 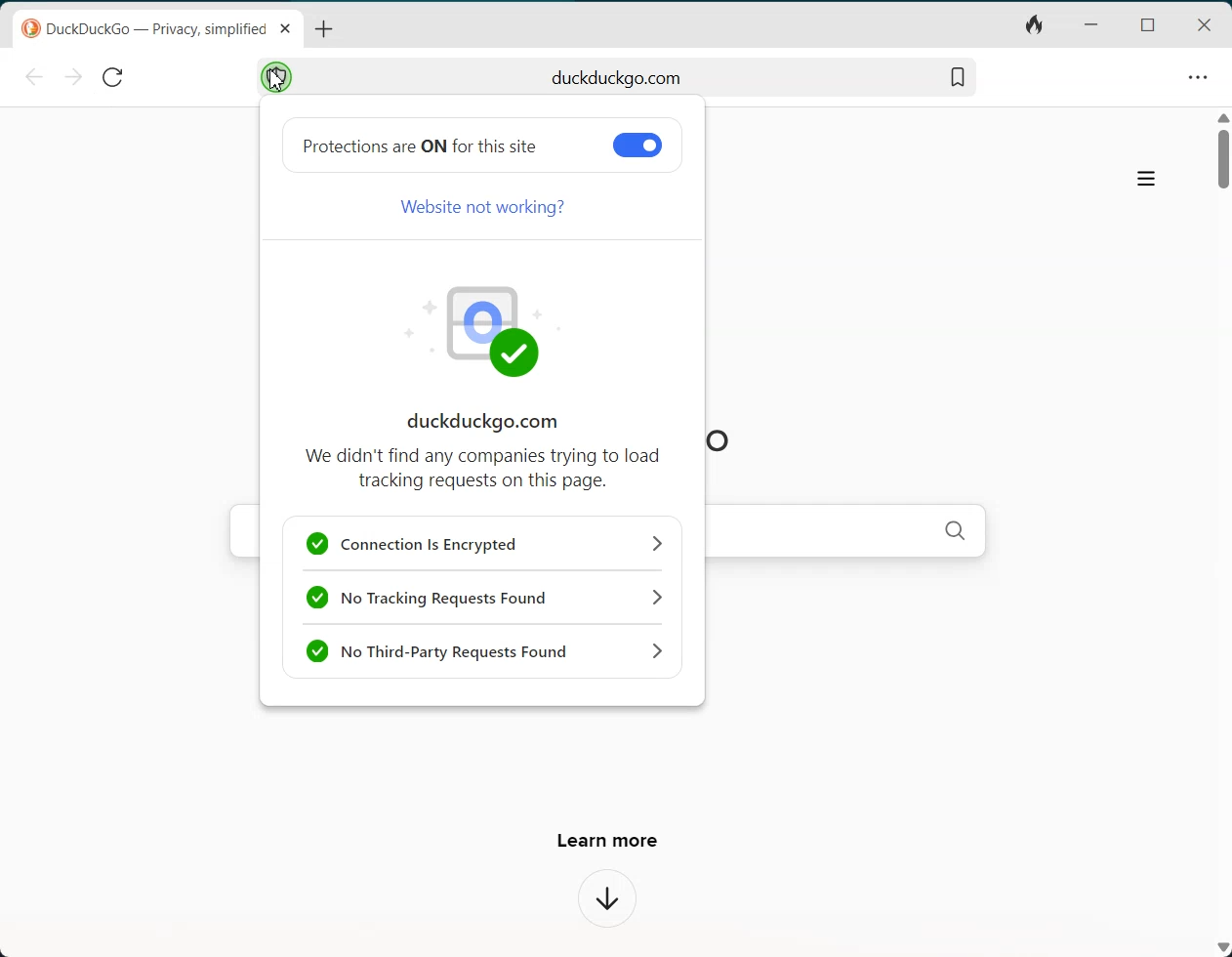 What do you see at coordinates (420, 146) in the screenshot?
I see `Protection are ON for this site` at bounding box center [420, 146].